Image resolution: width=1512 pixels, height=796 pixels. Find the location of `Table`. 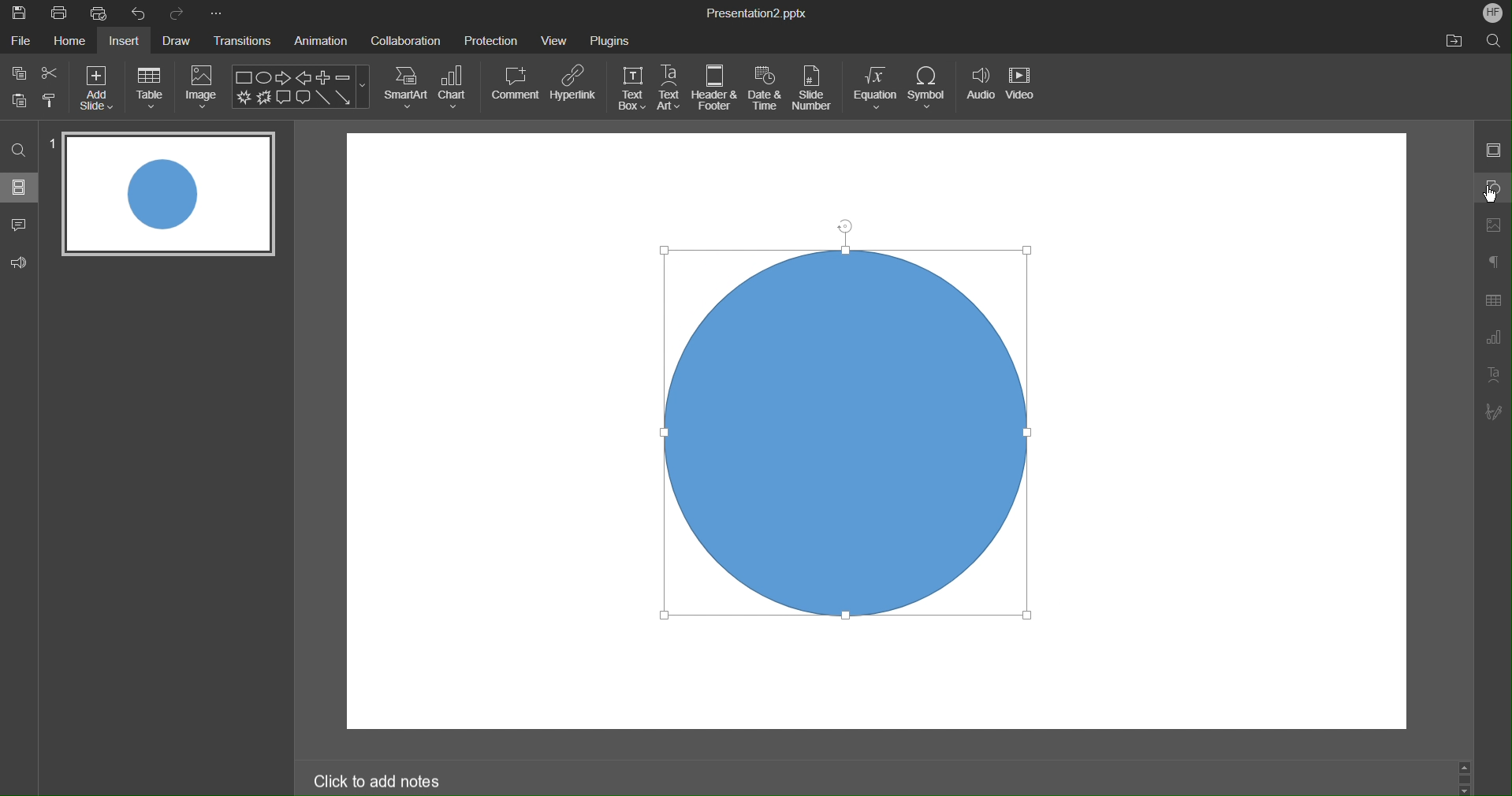

Table is located at coordinates (150, 87).